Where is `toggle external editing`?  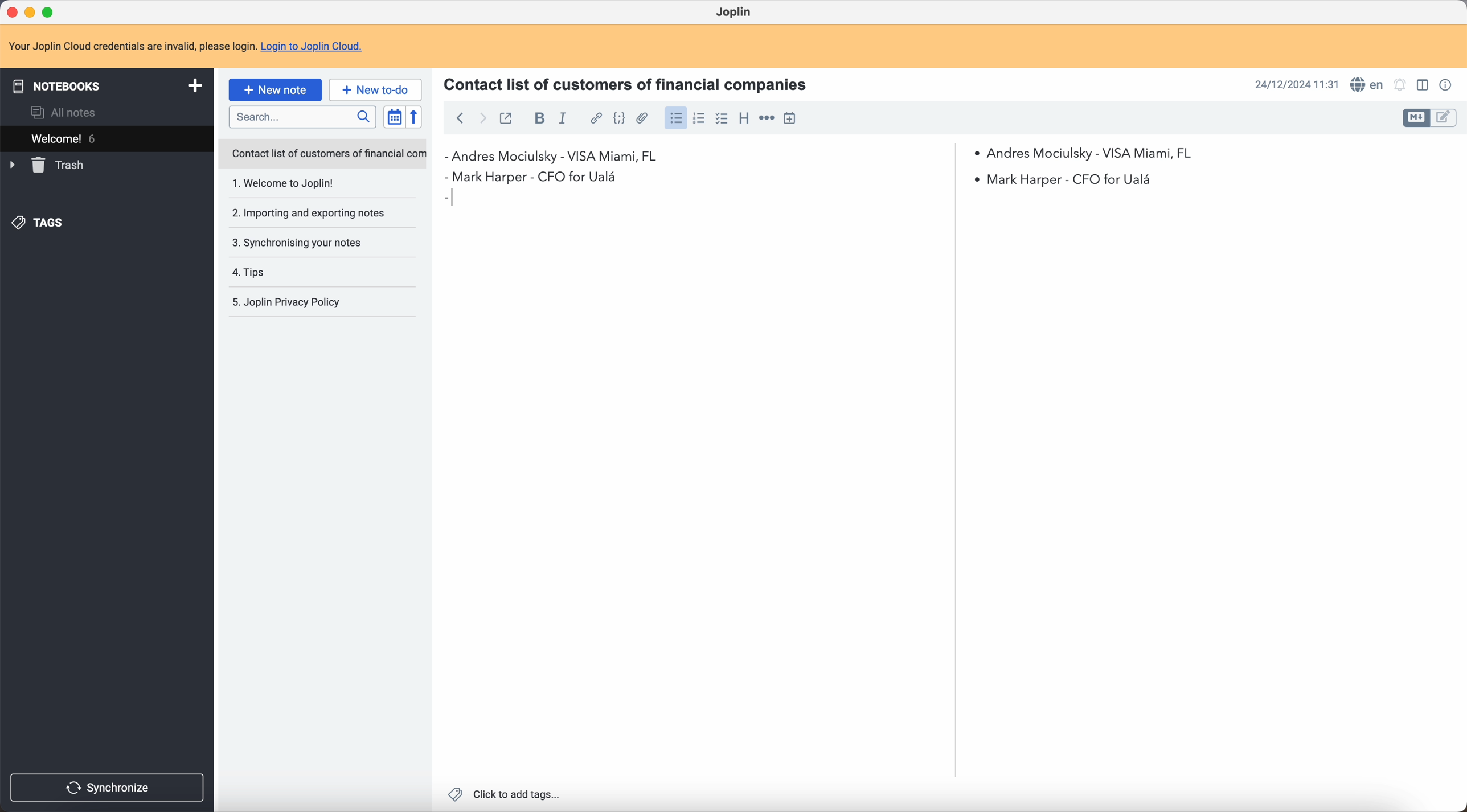 toggle external editing is located at coordinates (509, 117).